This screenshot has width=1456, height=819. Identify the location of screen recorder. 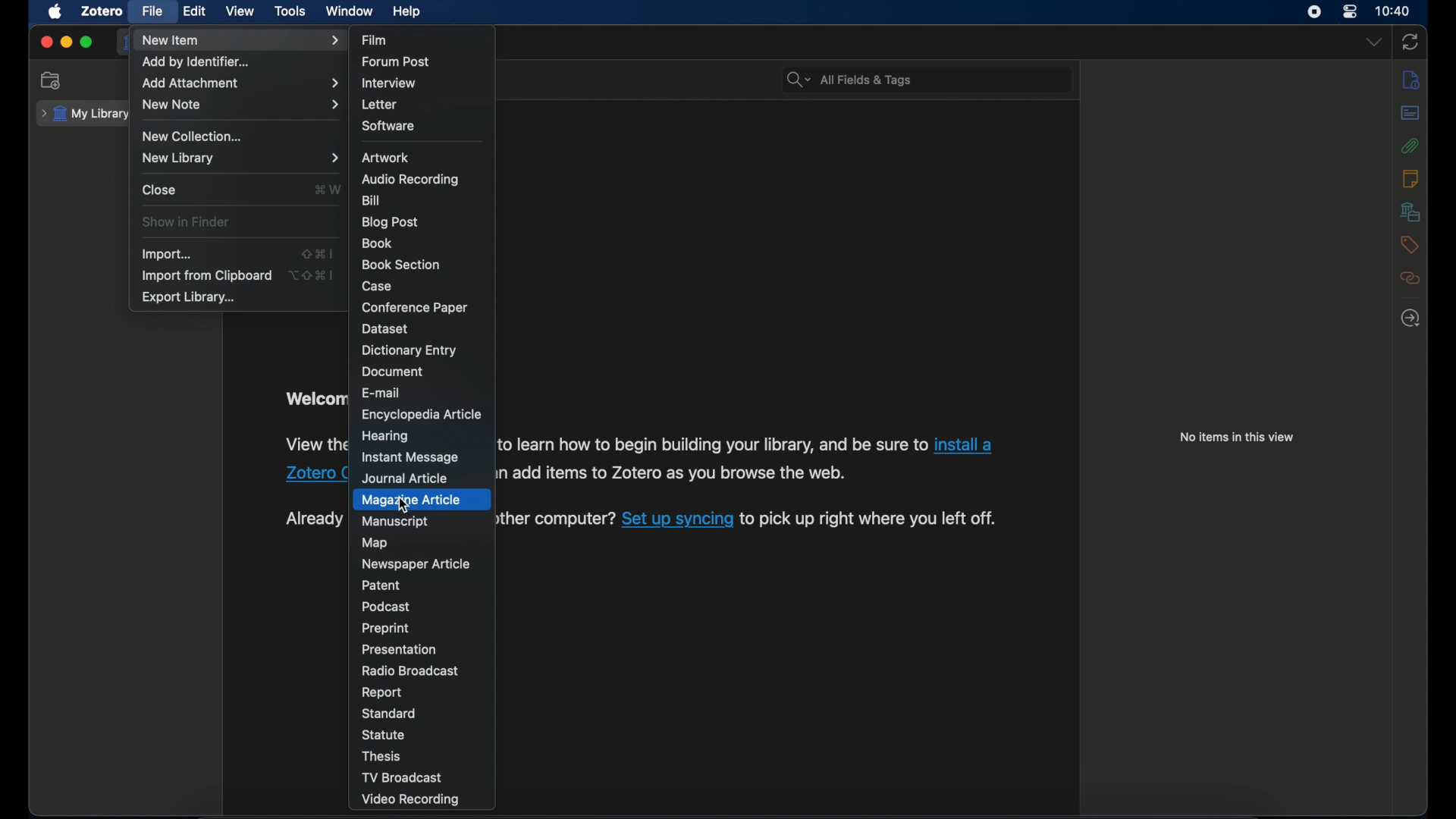
(1316, 12).